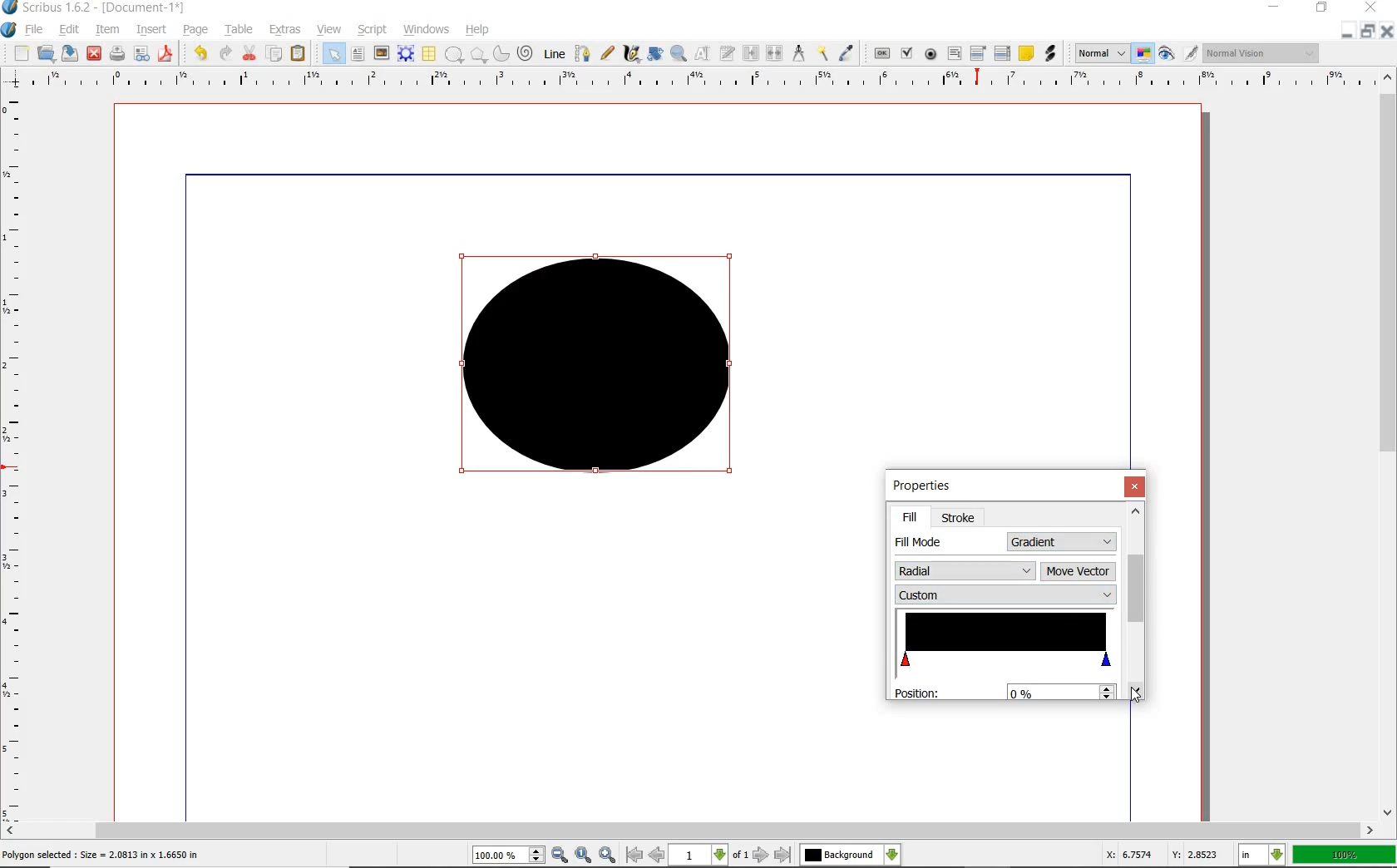 The width and height of the screenshot is (1397, 868). Describe the element at coordinates (694, 81) in the screenshot. I see `RULER` at that location.